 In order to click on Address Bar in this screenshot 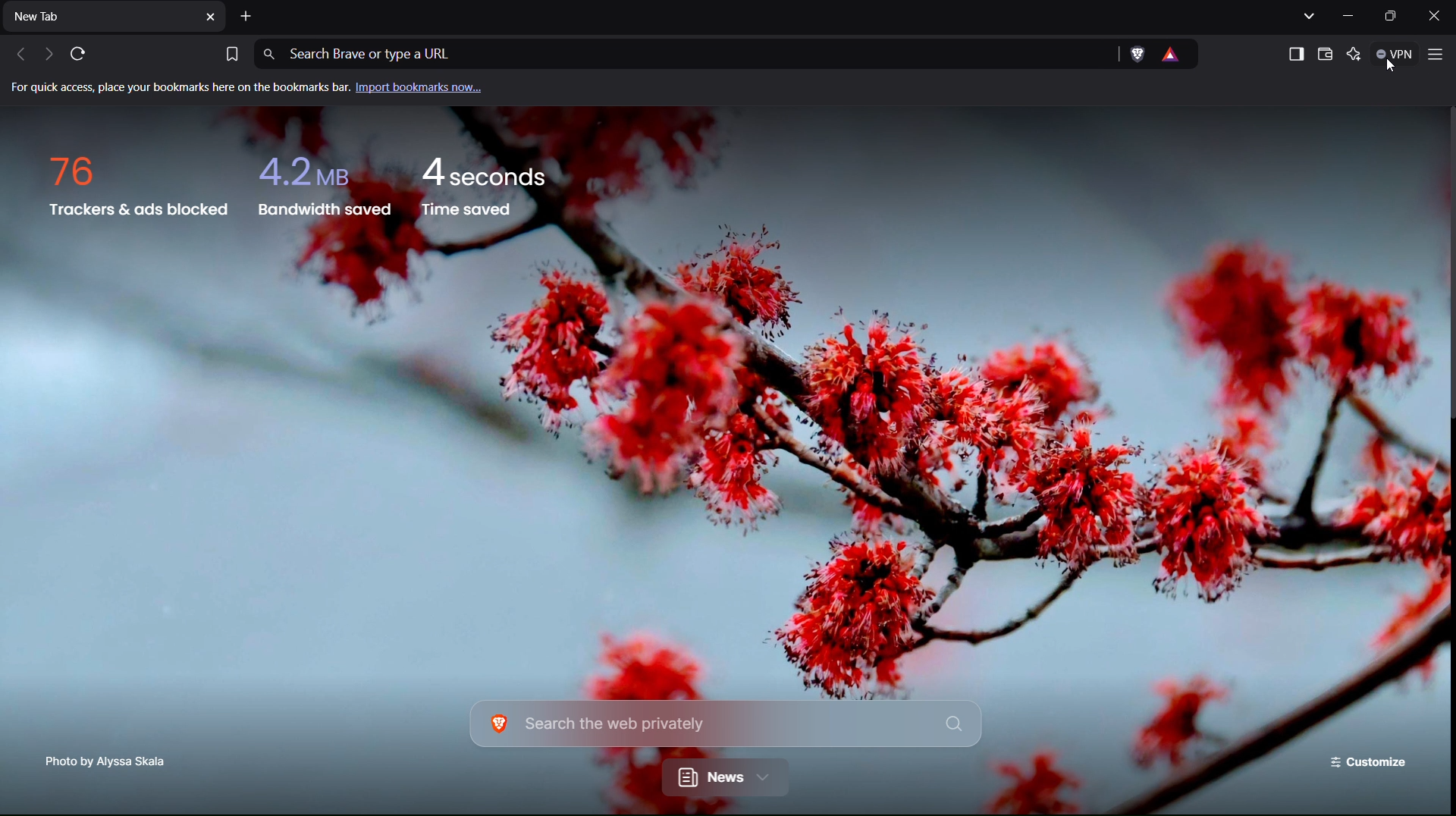, I will do `click(689, 53)`.